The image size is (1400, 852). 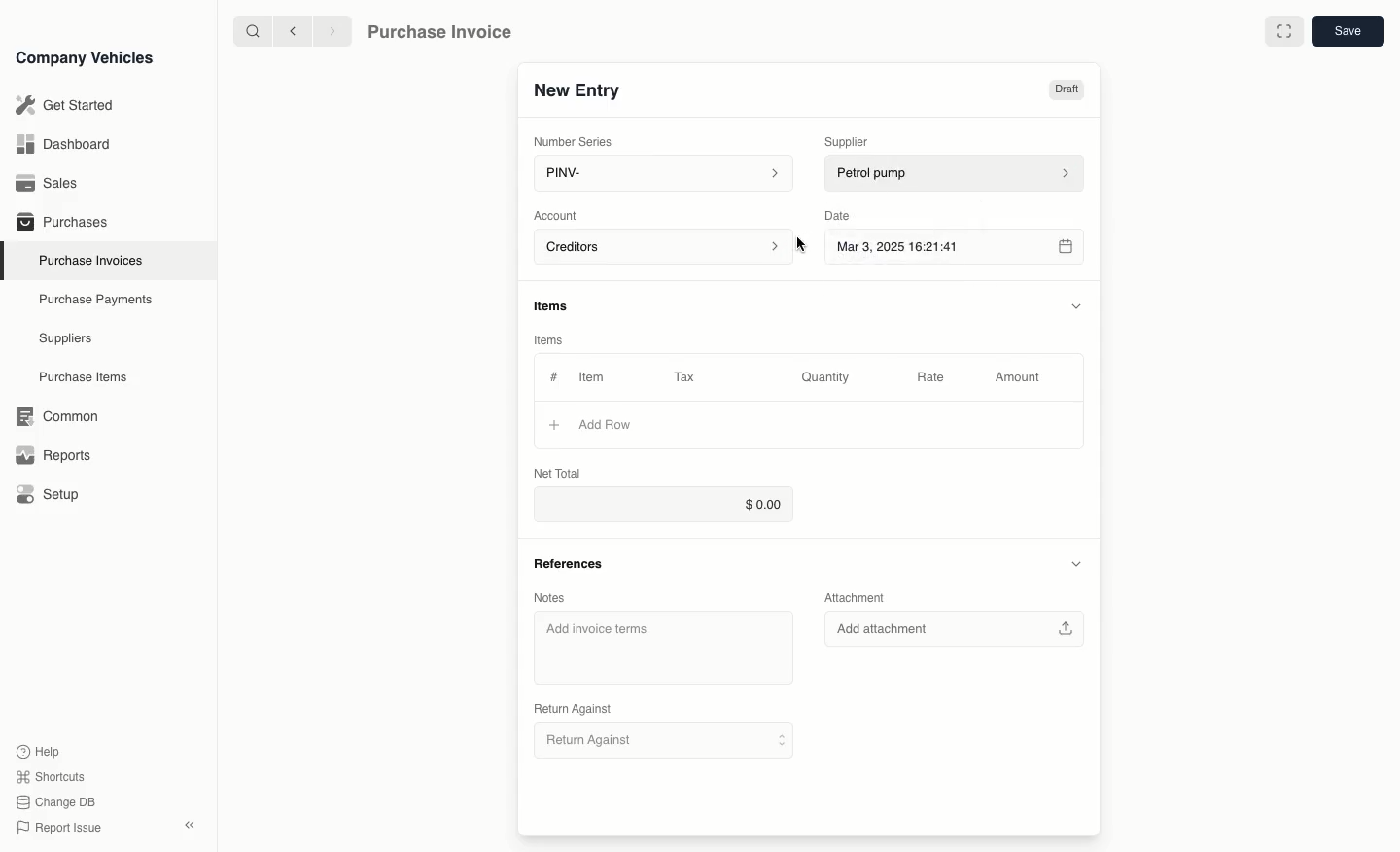 What do you see at coordinates (579, 139) in the screenshot?
I see `Number Series` at bounding box center [579, 139].